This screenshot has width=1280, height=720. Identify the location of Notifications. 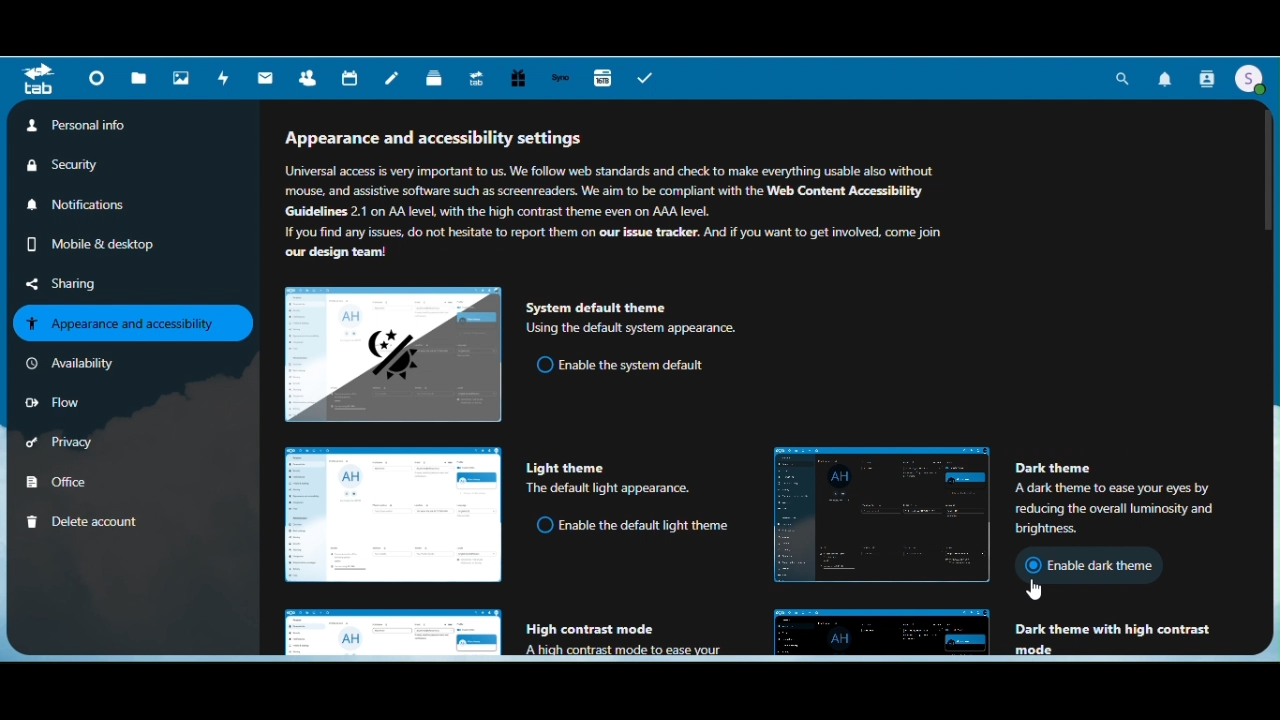
(85, 203).